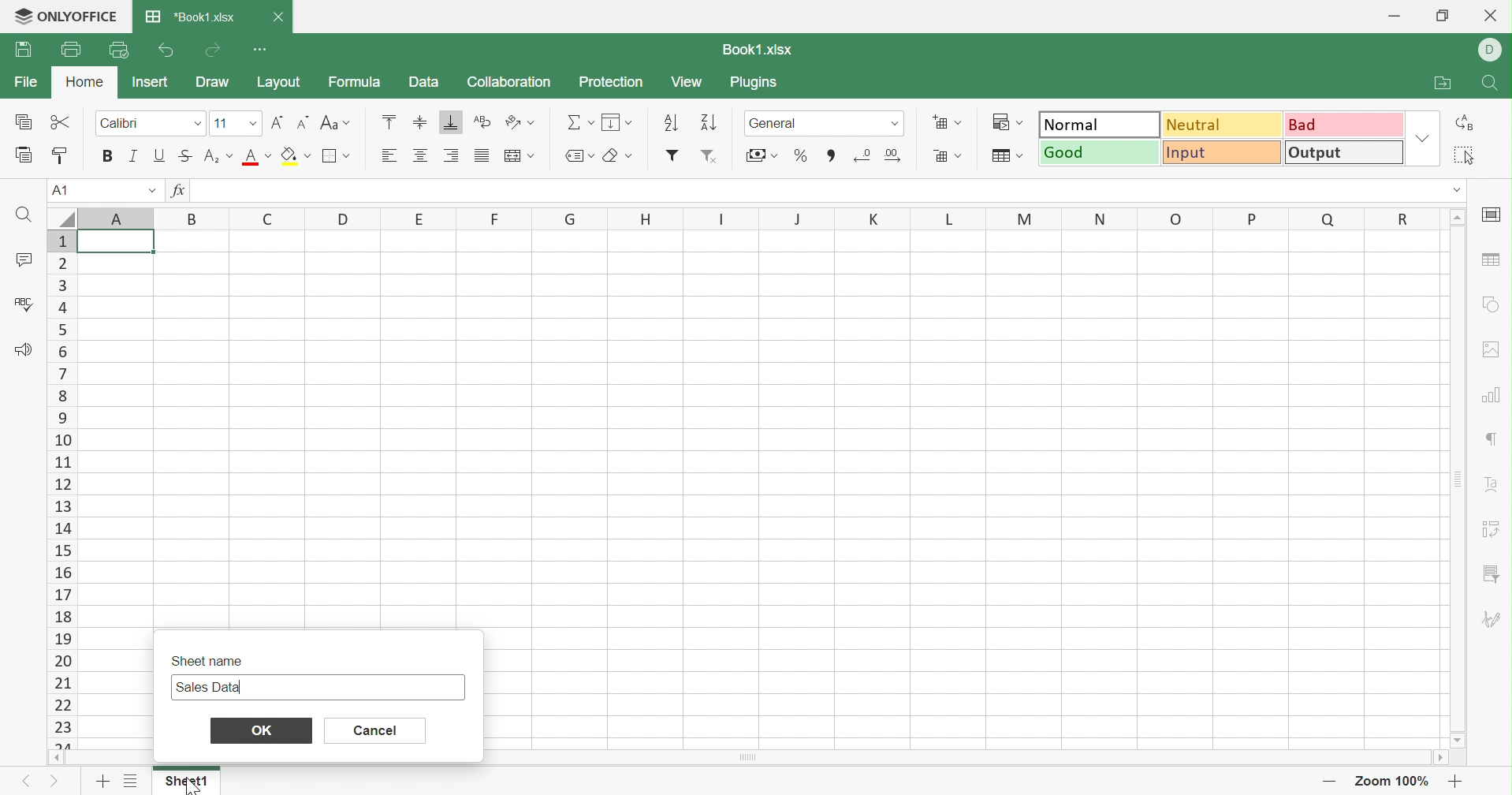  What do you see at coordinates (760, 217) in the screenshot?
I see `Column Names` at bounding box center [760, 217].